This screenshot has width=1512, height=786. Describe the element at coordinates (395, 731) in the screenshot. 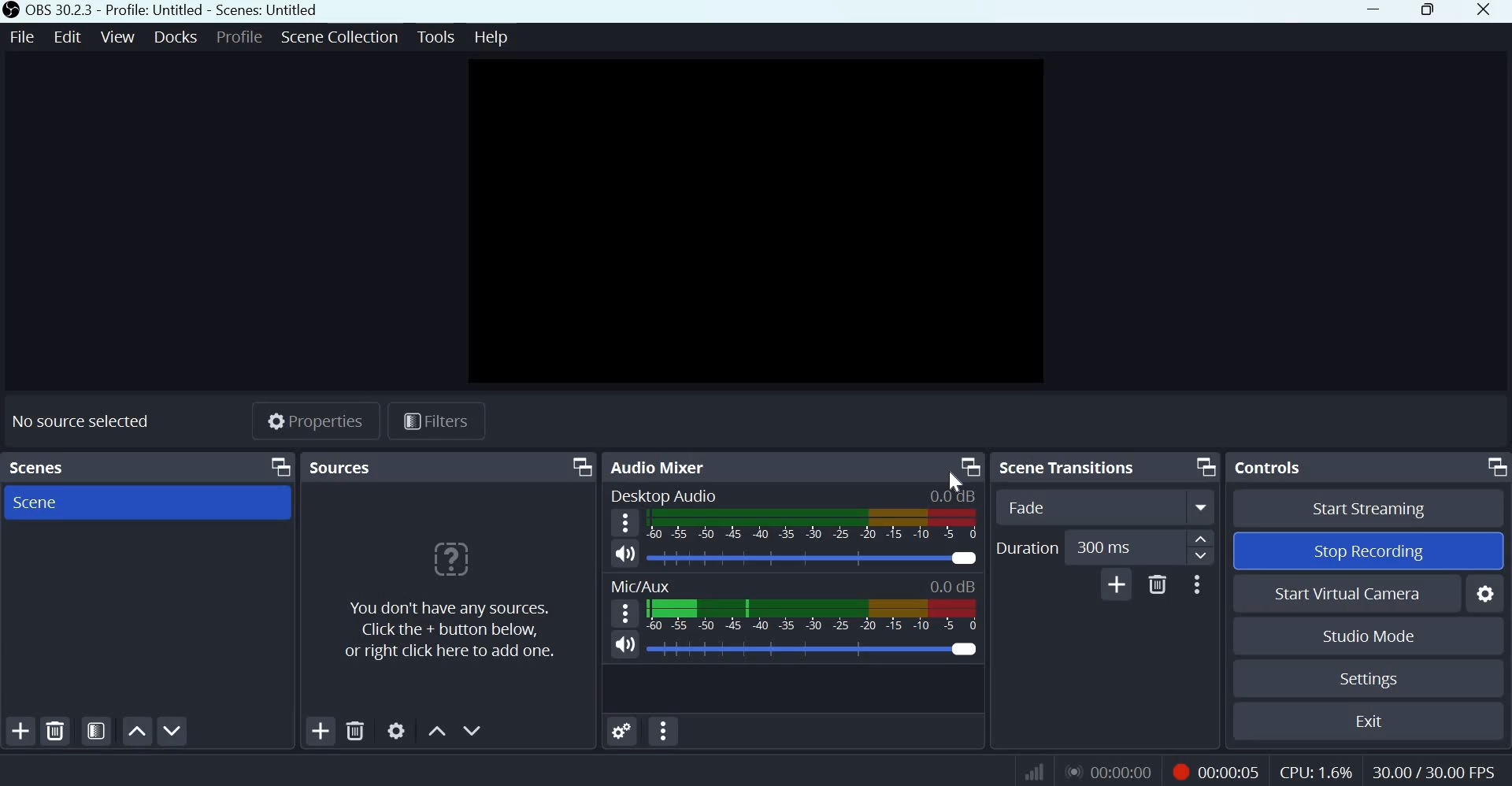

I see `Open source properties` at that location.